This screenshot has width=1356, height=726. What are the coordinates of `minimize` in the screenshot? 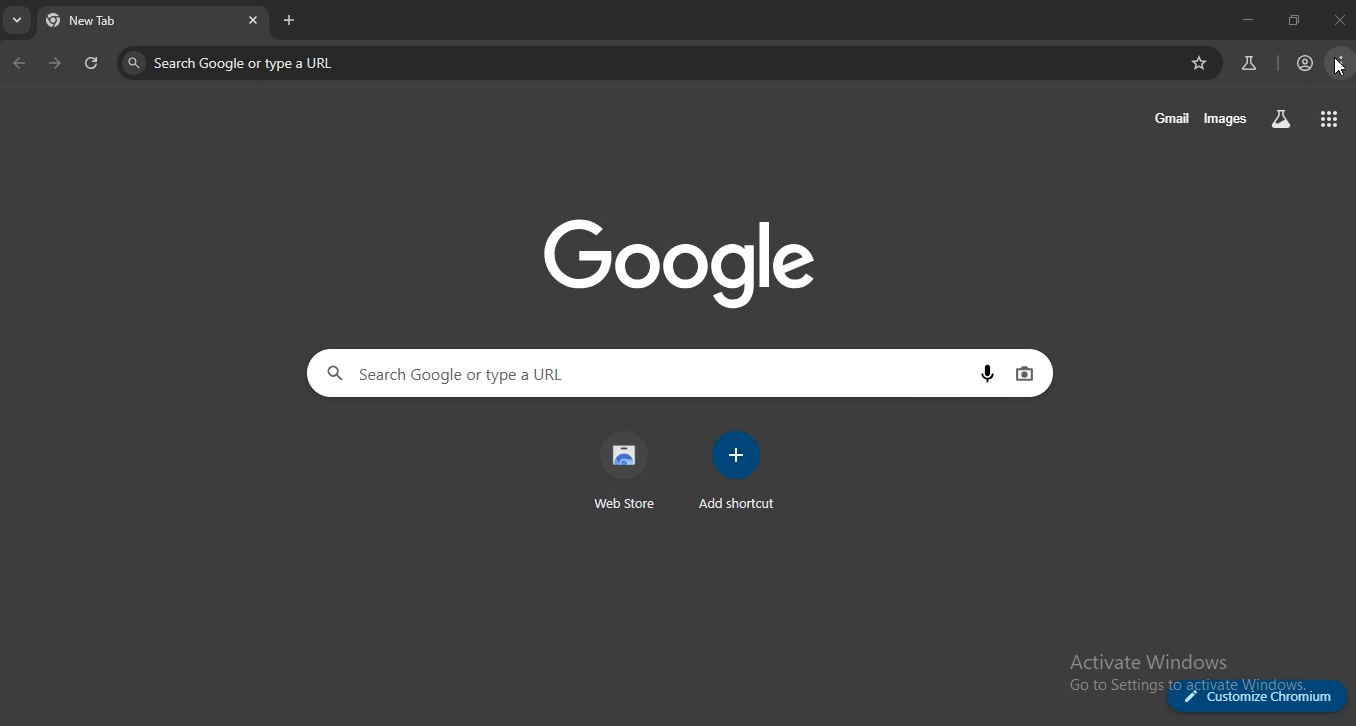 It's located at (1244, 18).